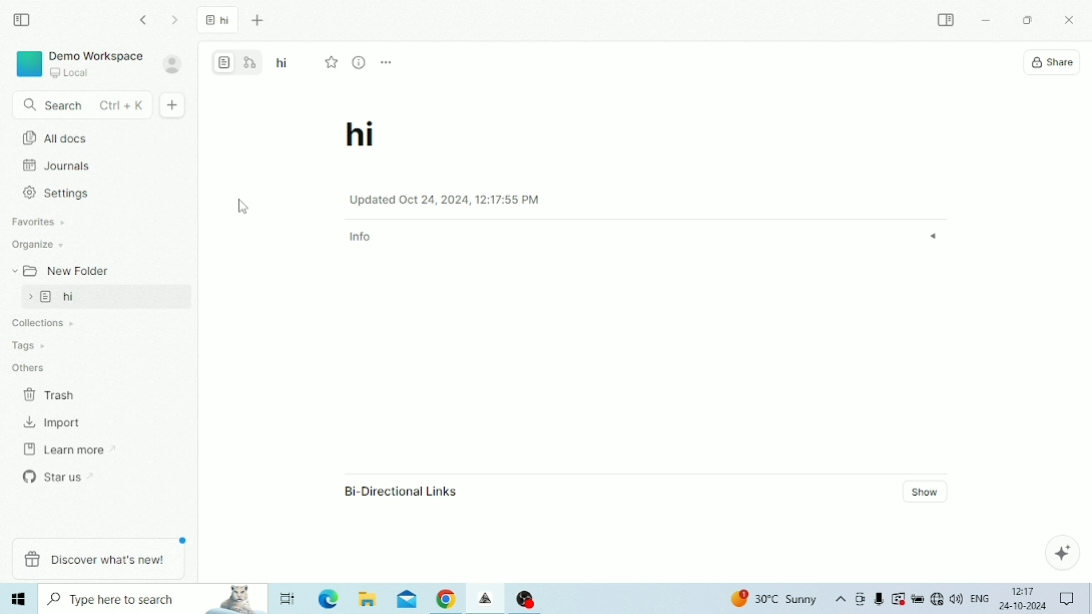  What do you see at coordinates (936, 599) in the screenshot?
I see `Internet` at bounding box center [936, 599].